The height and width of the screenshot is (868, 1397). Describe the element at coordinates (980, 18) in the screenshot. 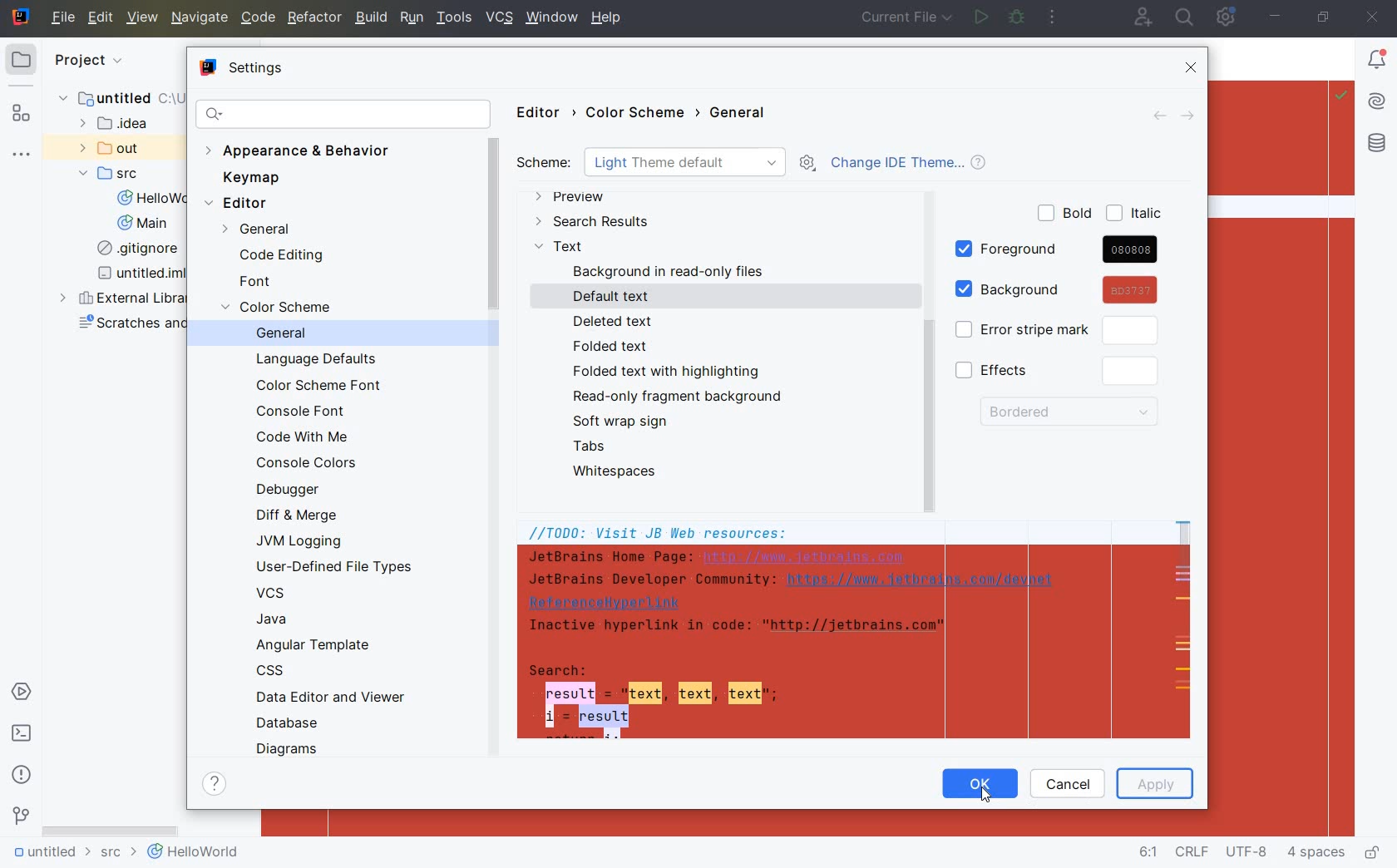

I see `run` at that location.